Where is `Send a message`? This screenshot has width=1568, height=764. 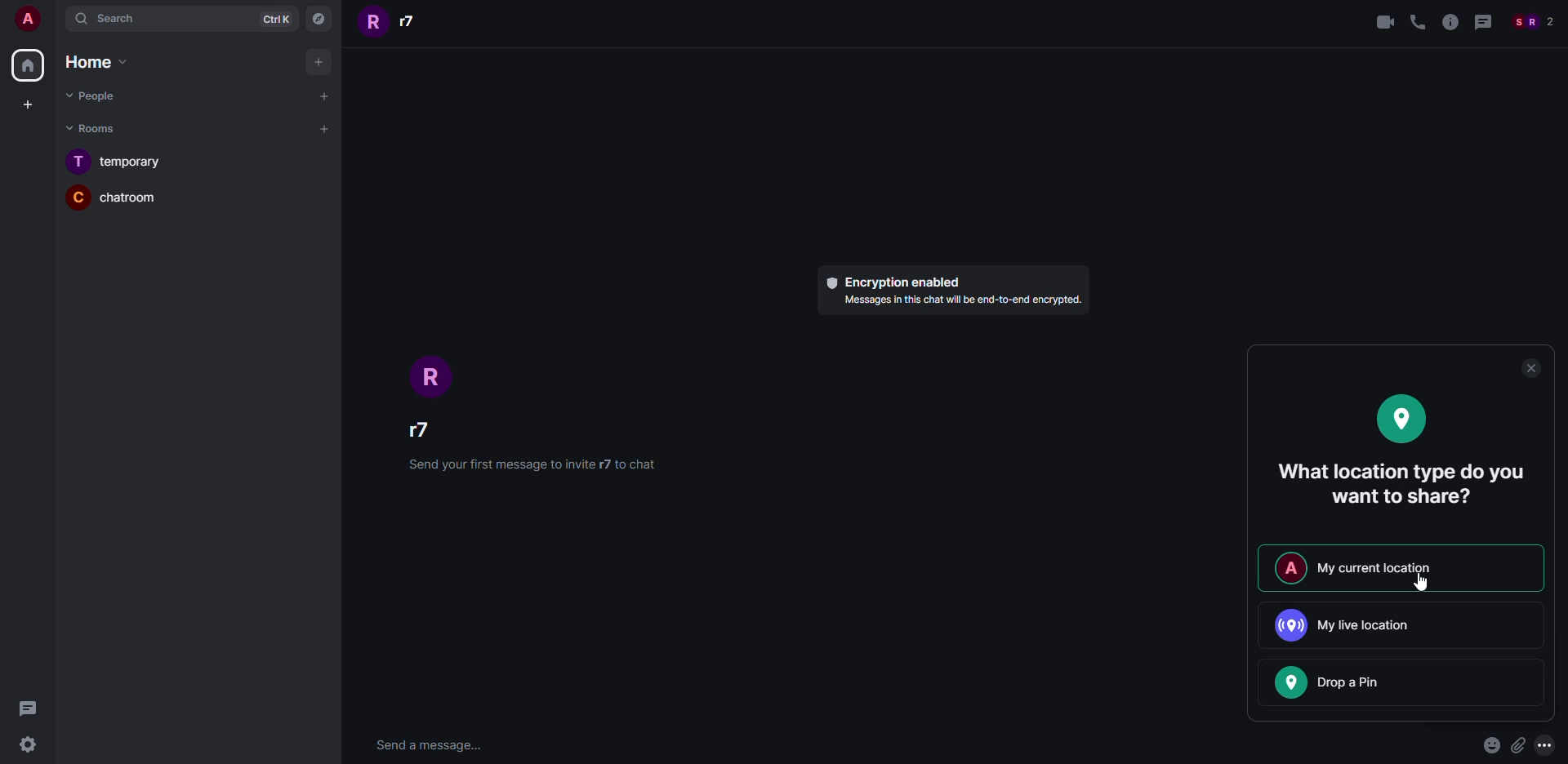 Send a message is located at coordinates (429, 747).